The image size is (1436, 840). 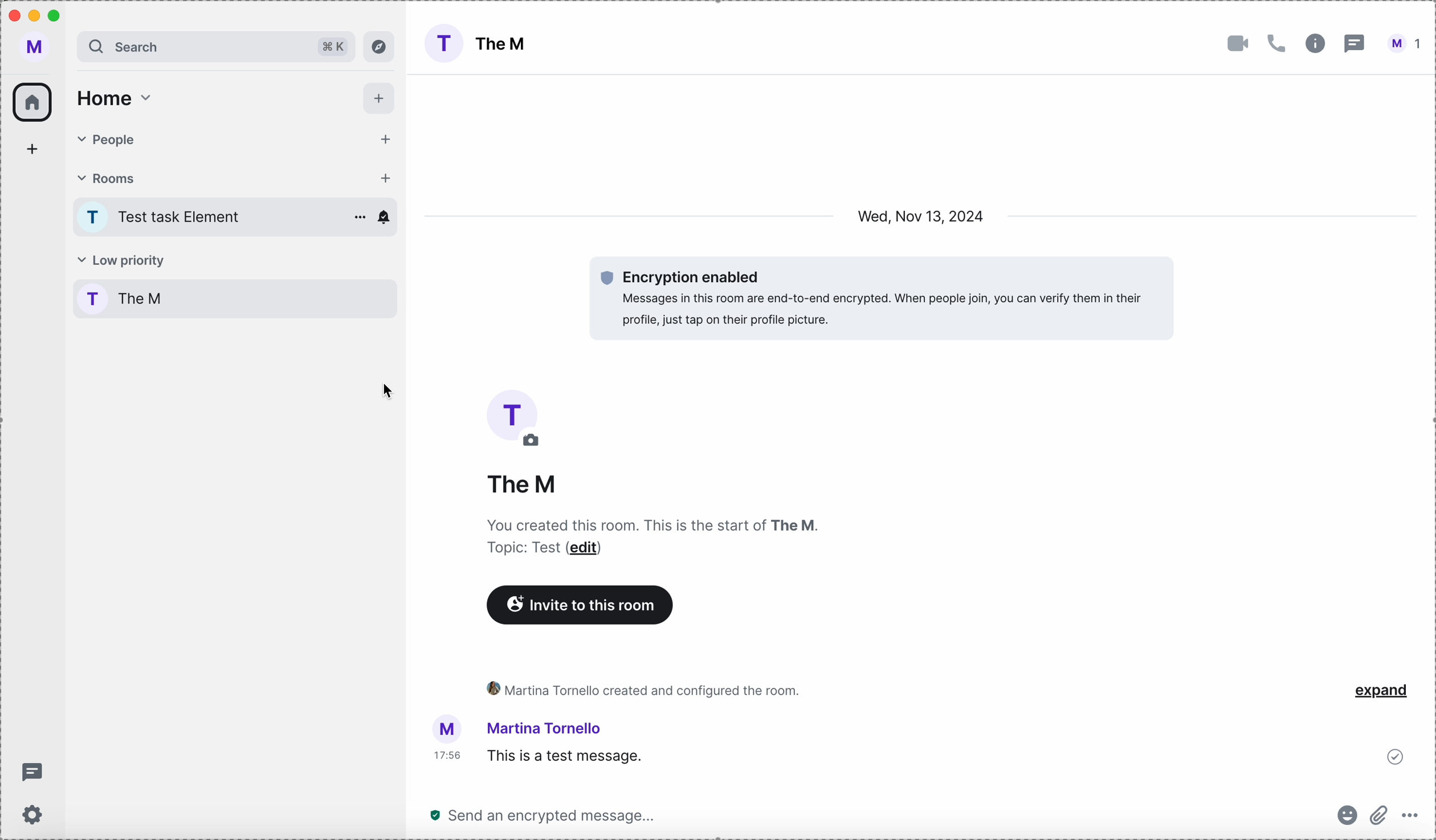 What do you see at coordinates (34, 46) in the screenshot?
I see `profile` at bounding box center [34, 46].